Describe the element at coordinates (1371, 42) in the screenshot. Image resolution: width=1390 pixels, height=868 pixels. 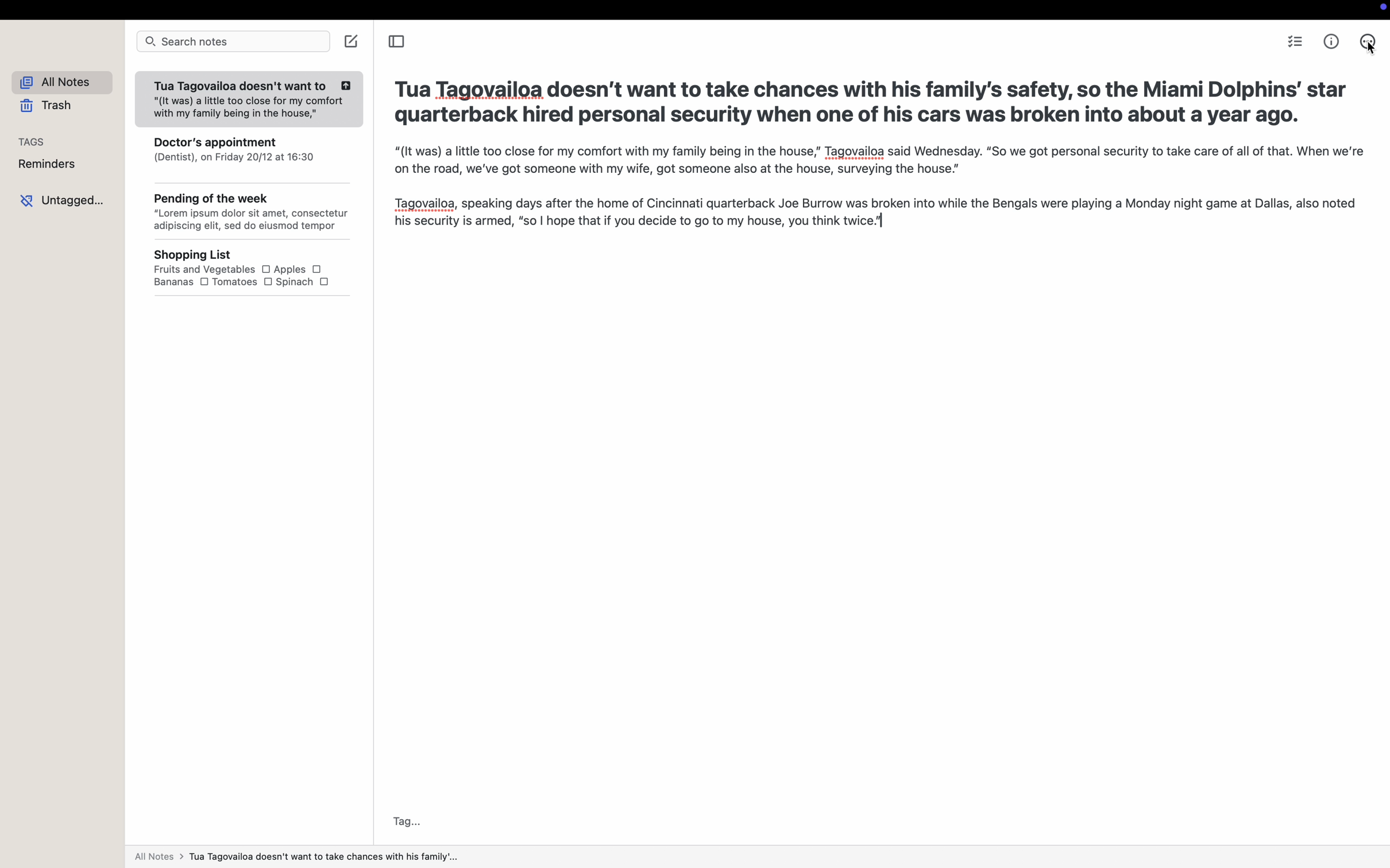
I see `click on more options` at that location.